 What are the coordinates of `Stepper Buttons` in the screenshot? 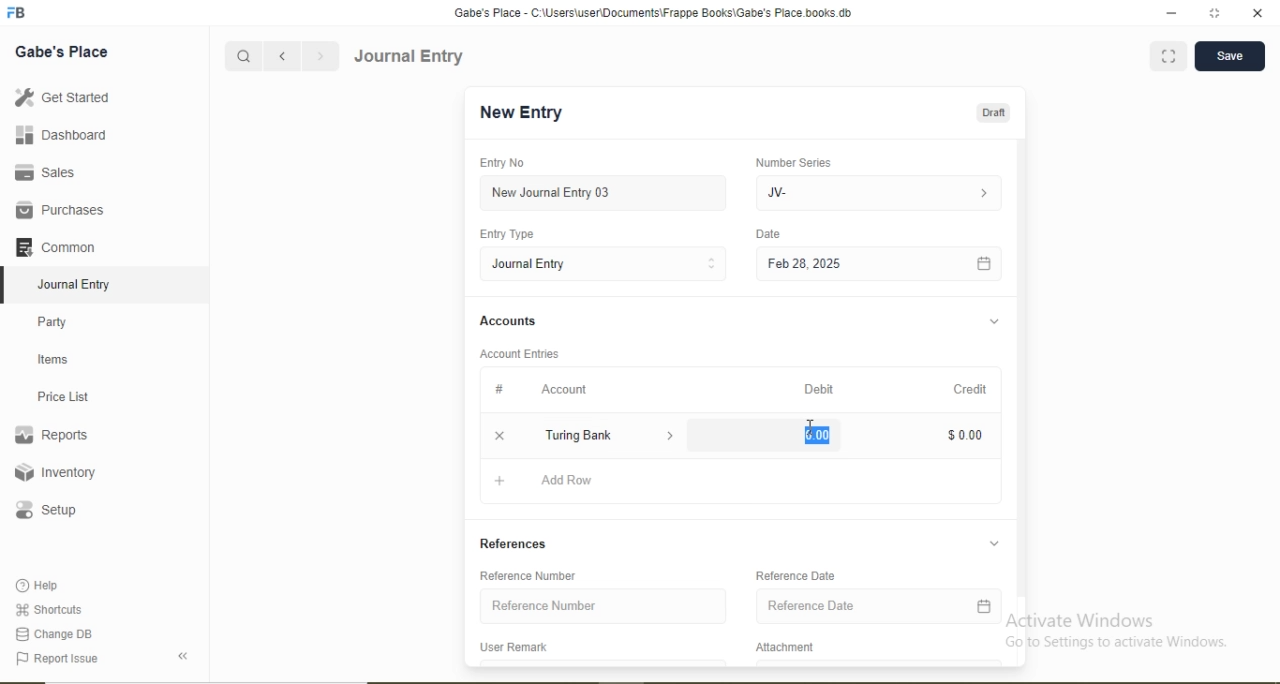 It's located at (712, 264).